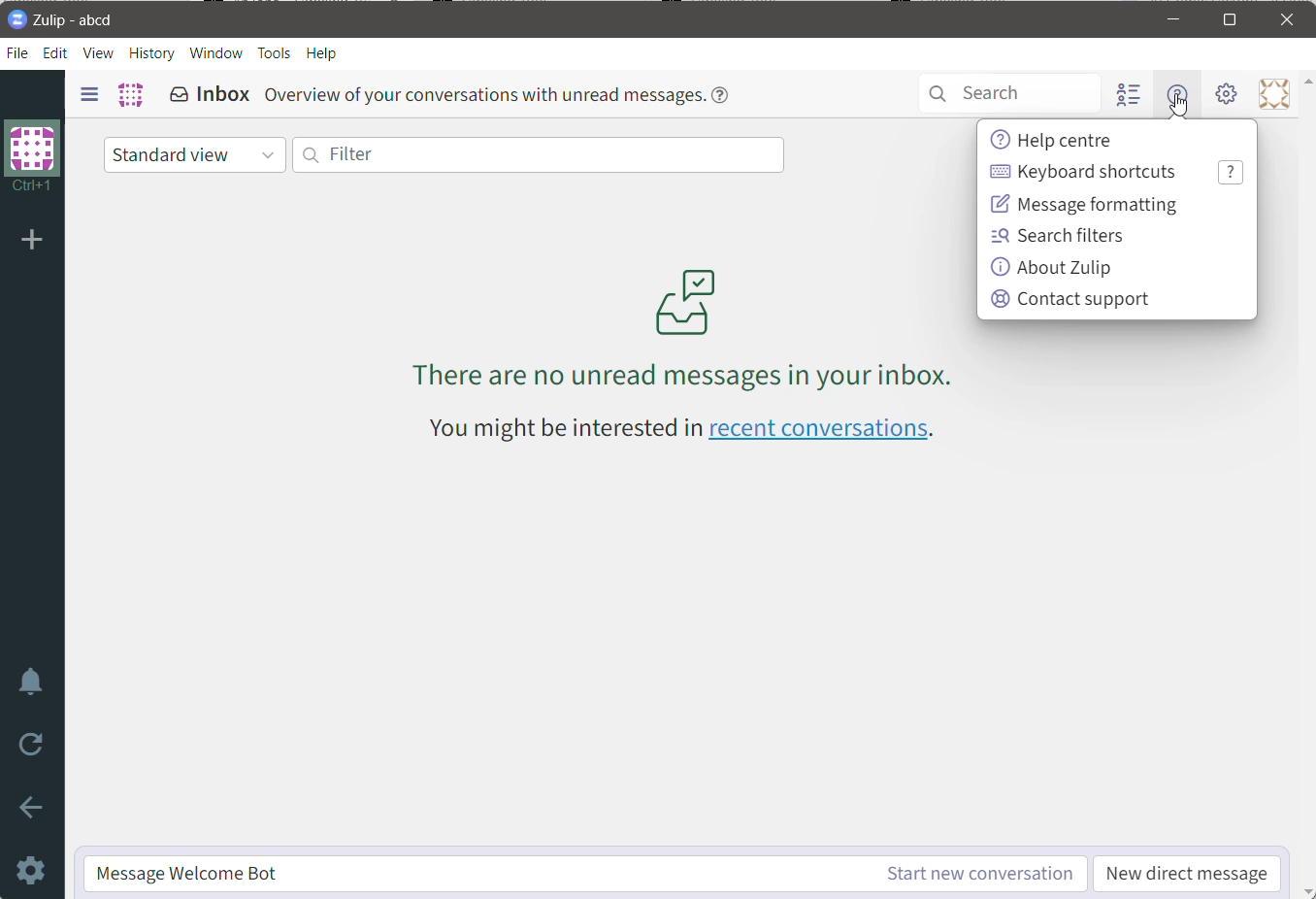 The width and height of the screenshot is (1316, 899). Describe the element at coordinates (1081, 299) in the screenshot. I see `Contact Support` at that location.